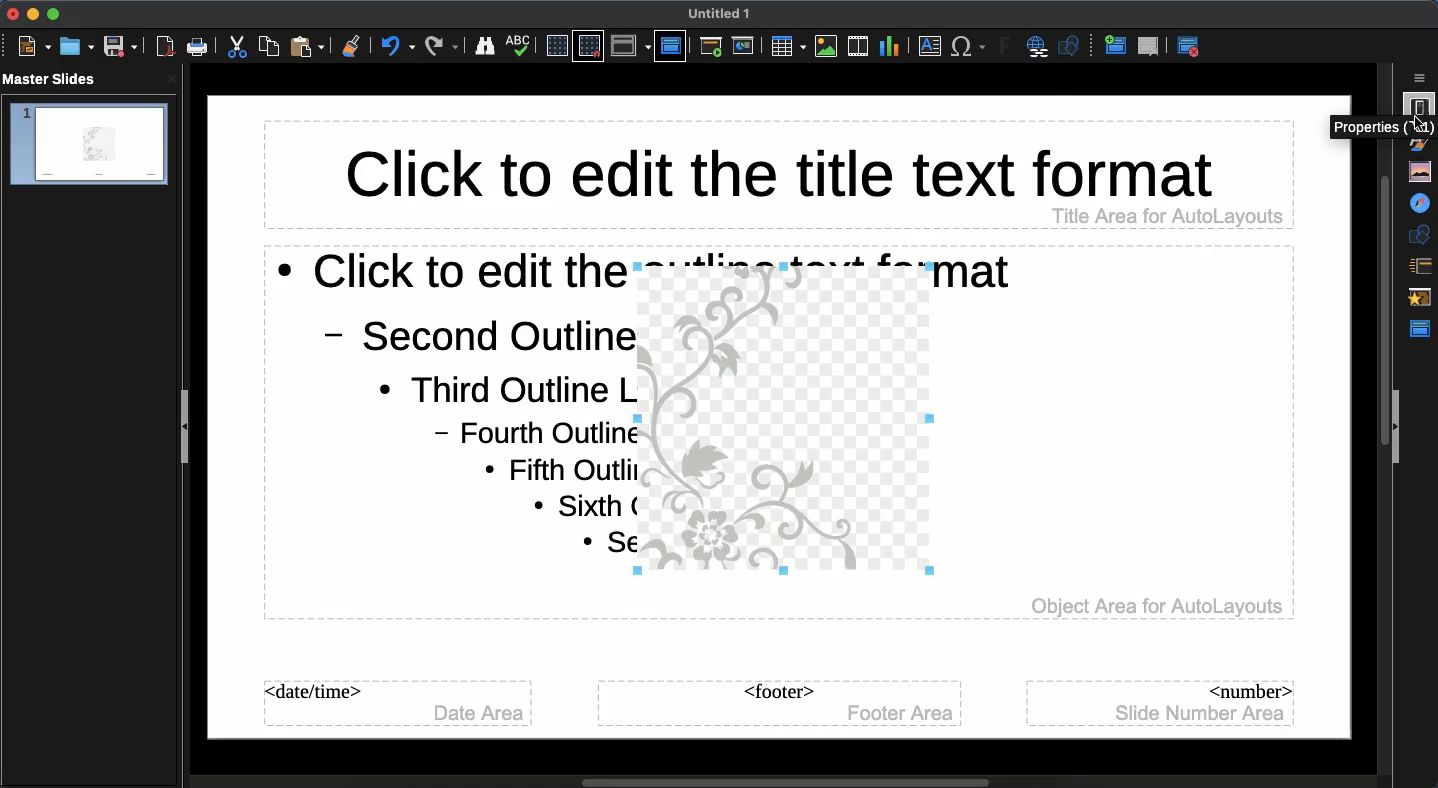 The image size is (1438, 788). Describe the element at coordinates (269, 46) in the screenshot. I see `Copy` at that location.